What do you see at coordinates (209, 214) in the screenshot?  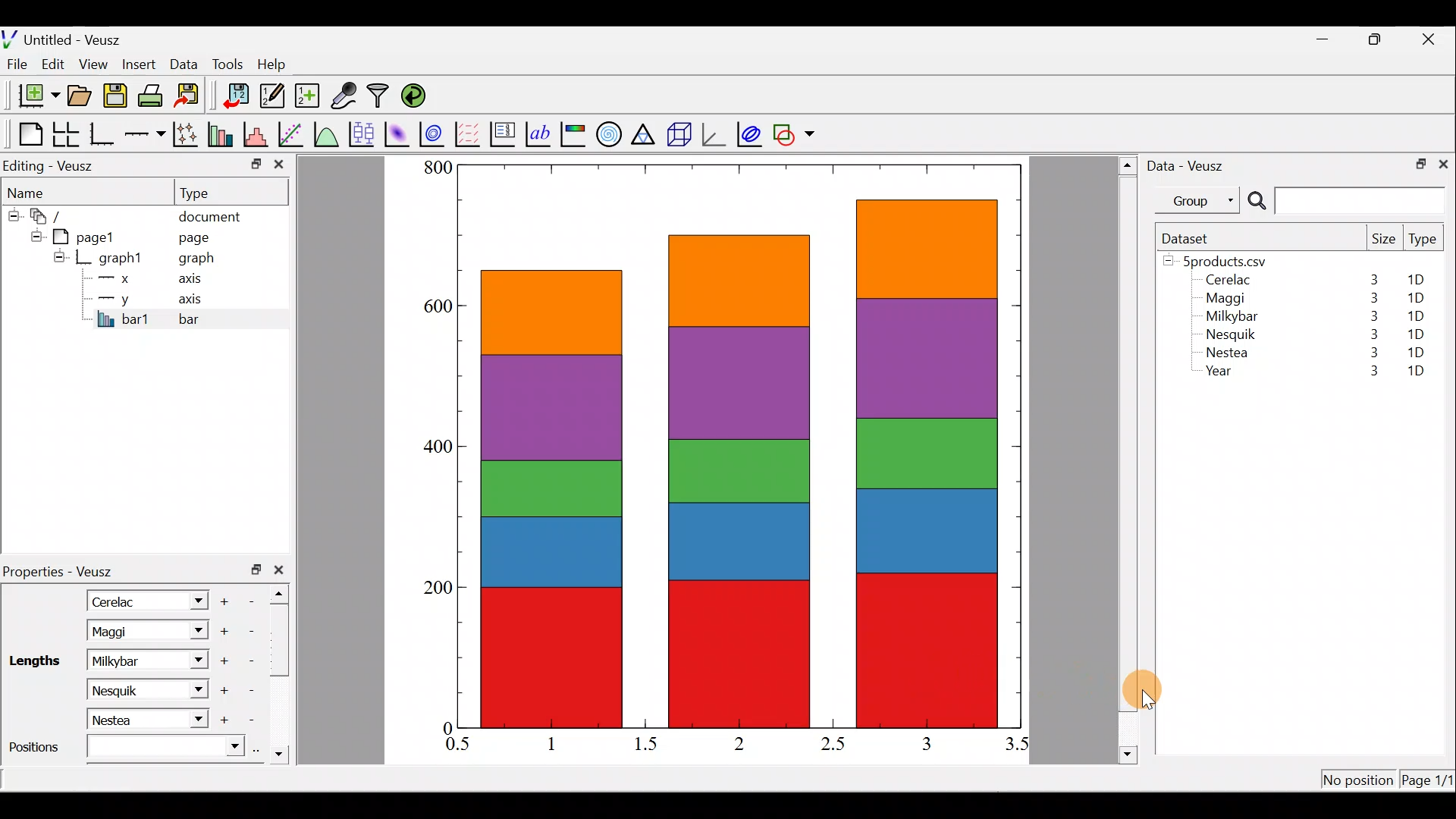 I see `document` at bounding box center [209, 214].